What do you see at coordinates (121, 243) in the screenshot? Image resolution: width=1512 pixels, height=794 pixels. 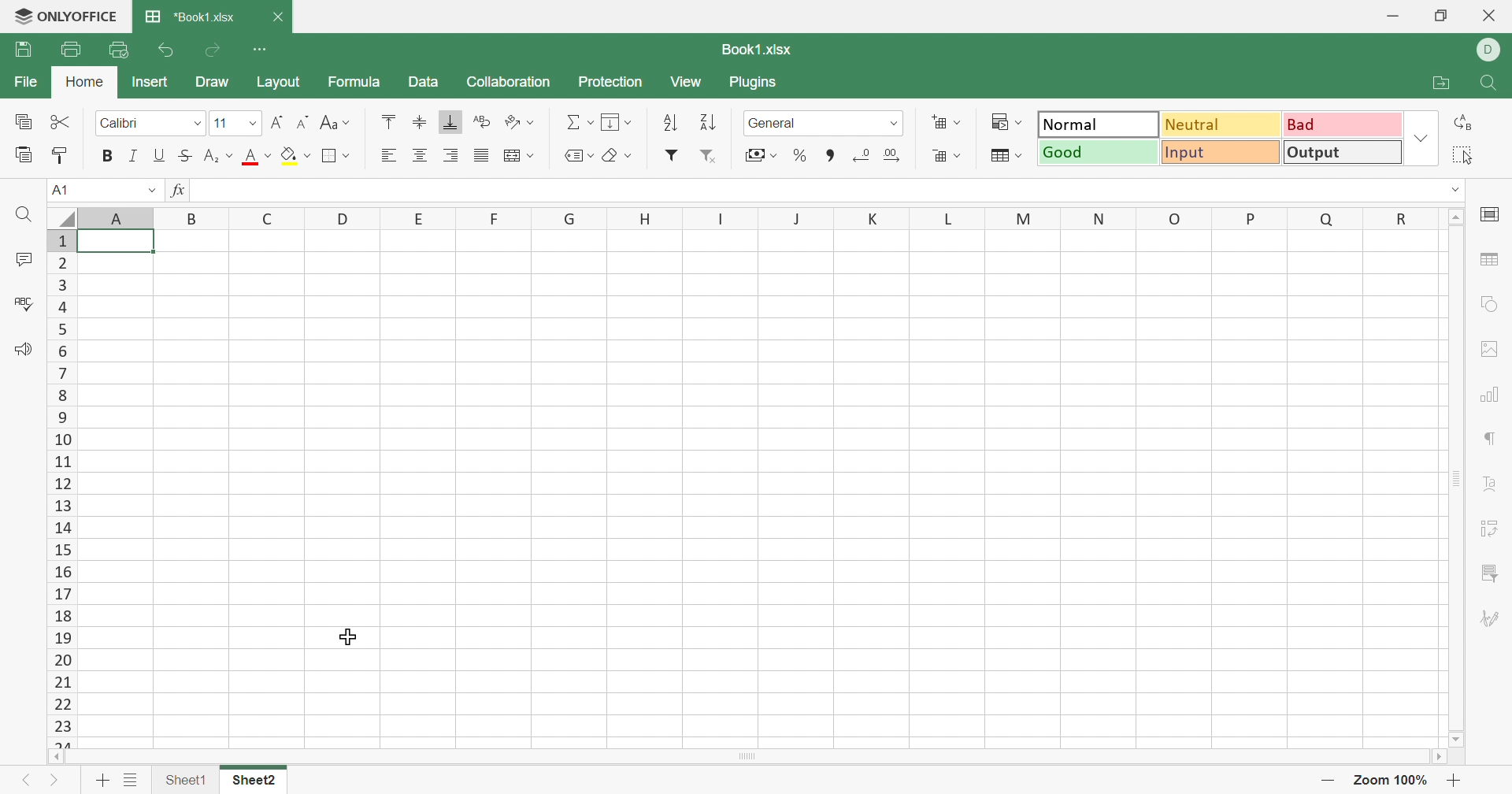 I see `Cell A1 higlighted` at bounding box center [121, 243].